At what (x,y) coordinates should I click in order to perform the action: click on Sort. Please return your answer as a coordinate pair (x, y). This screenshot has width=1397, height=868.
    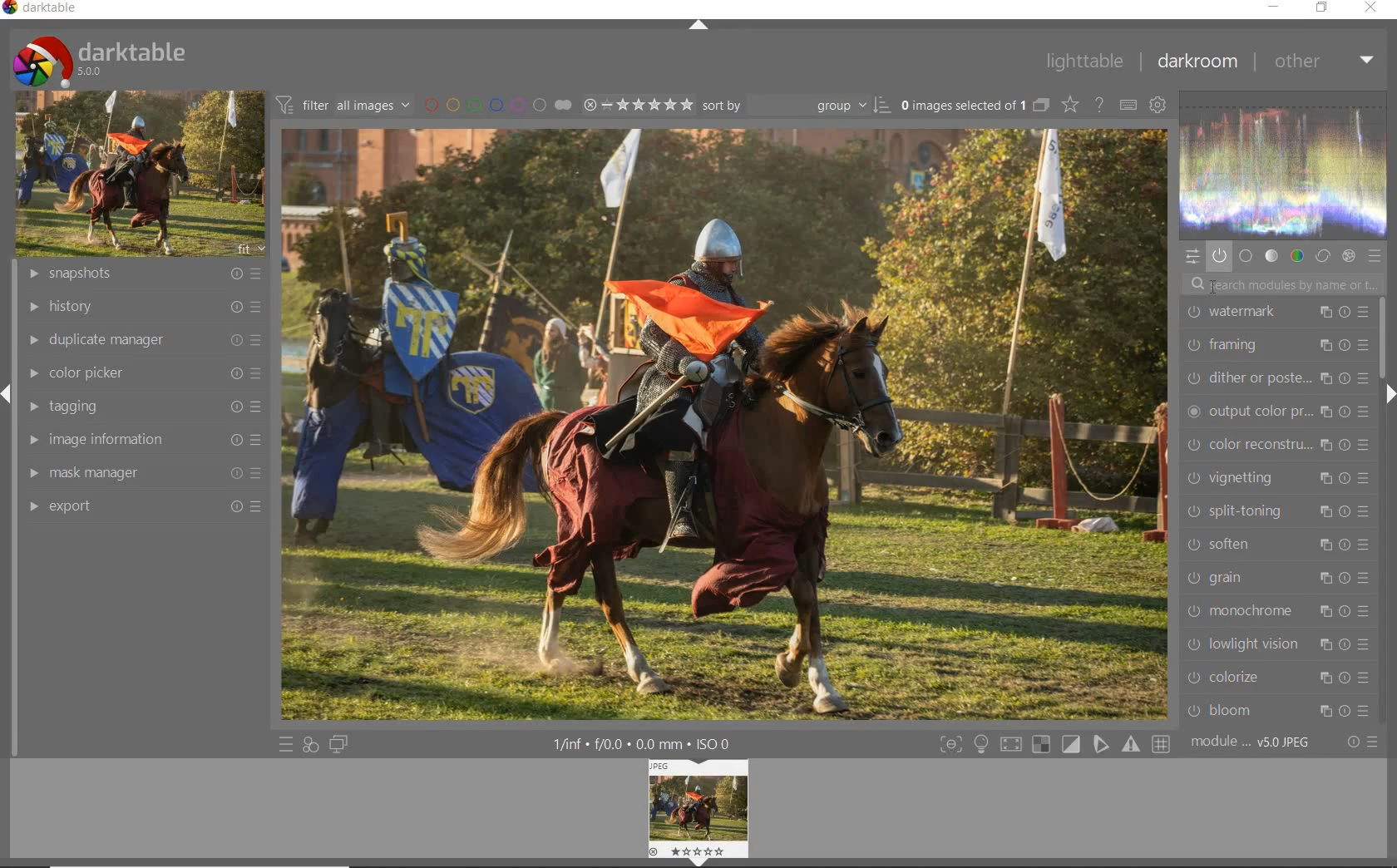
    Looking at the image, I should click on (796, 104).